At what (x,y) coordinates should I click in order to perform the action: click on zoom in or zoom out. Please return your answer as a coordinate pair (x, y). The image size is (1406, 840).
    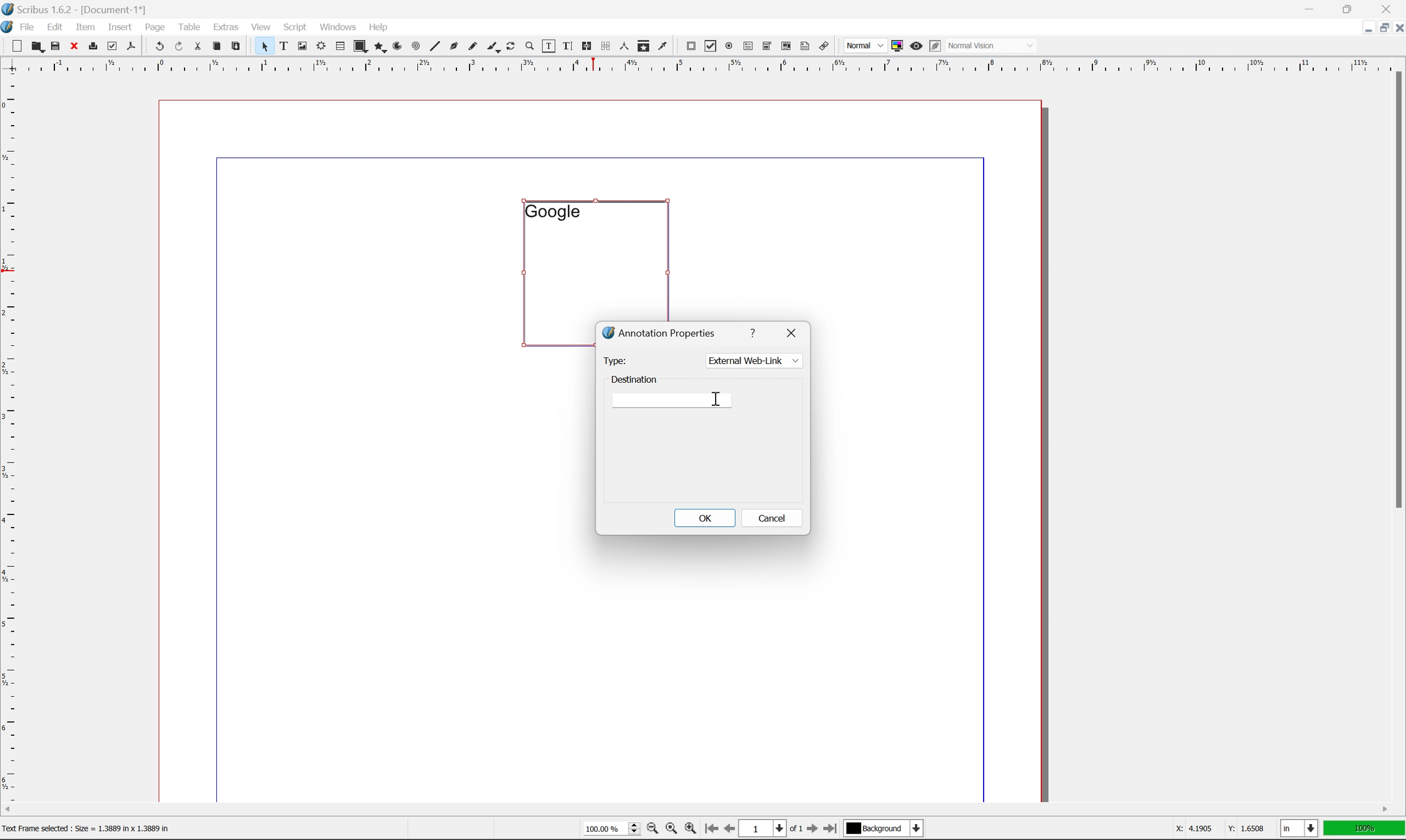
    Looking at the image, I should click on (531, 47).